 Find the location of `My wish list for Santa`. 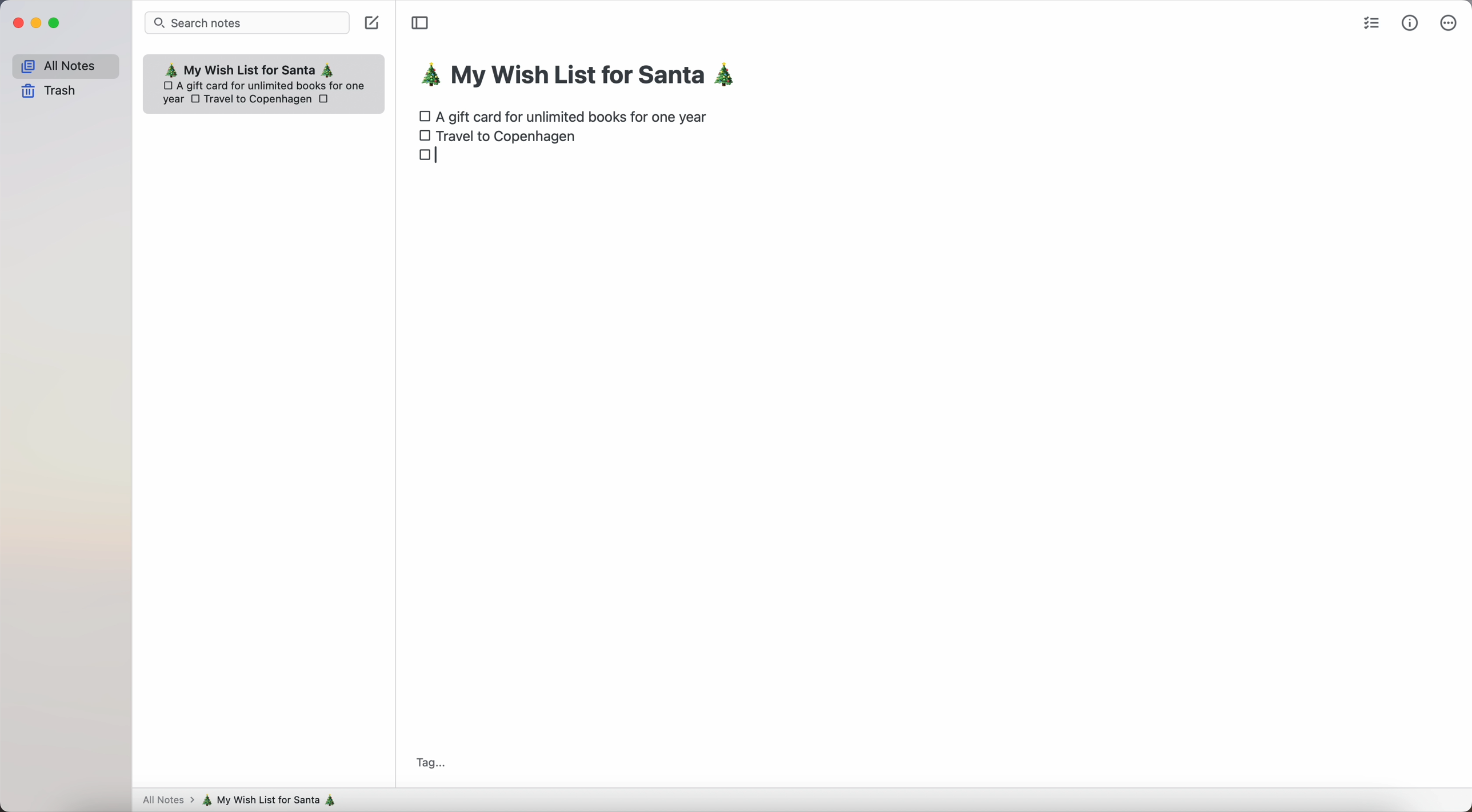

My wish list for Santa is located at coordinates (250, 70).